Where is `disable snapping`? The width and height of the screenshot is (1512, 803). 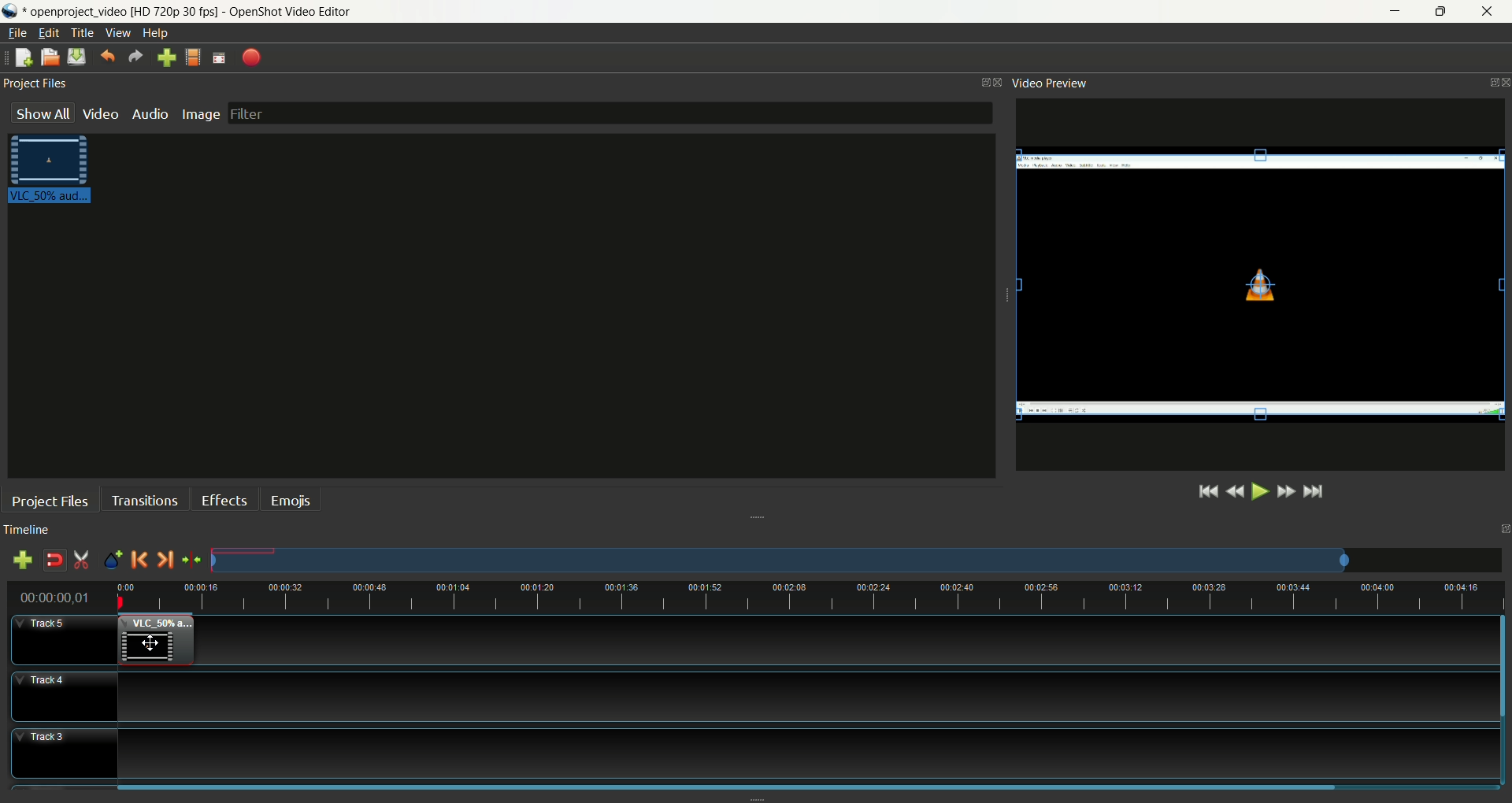
disable snapping is located at coordinates (54, 560).